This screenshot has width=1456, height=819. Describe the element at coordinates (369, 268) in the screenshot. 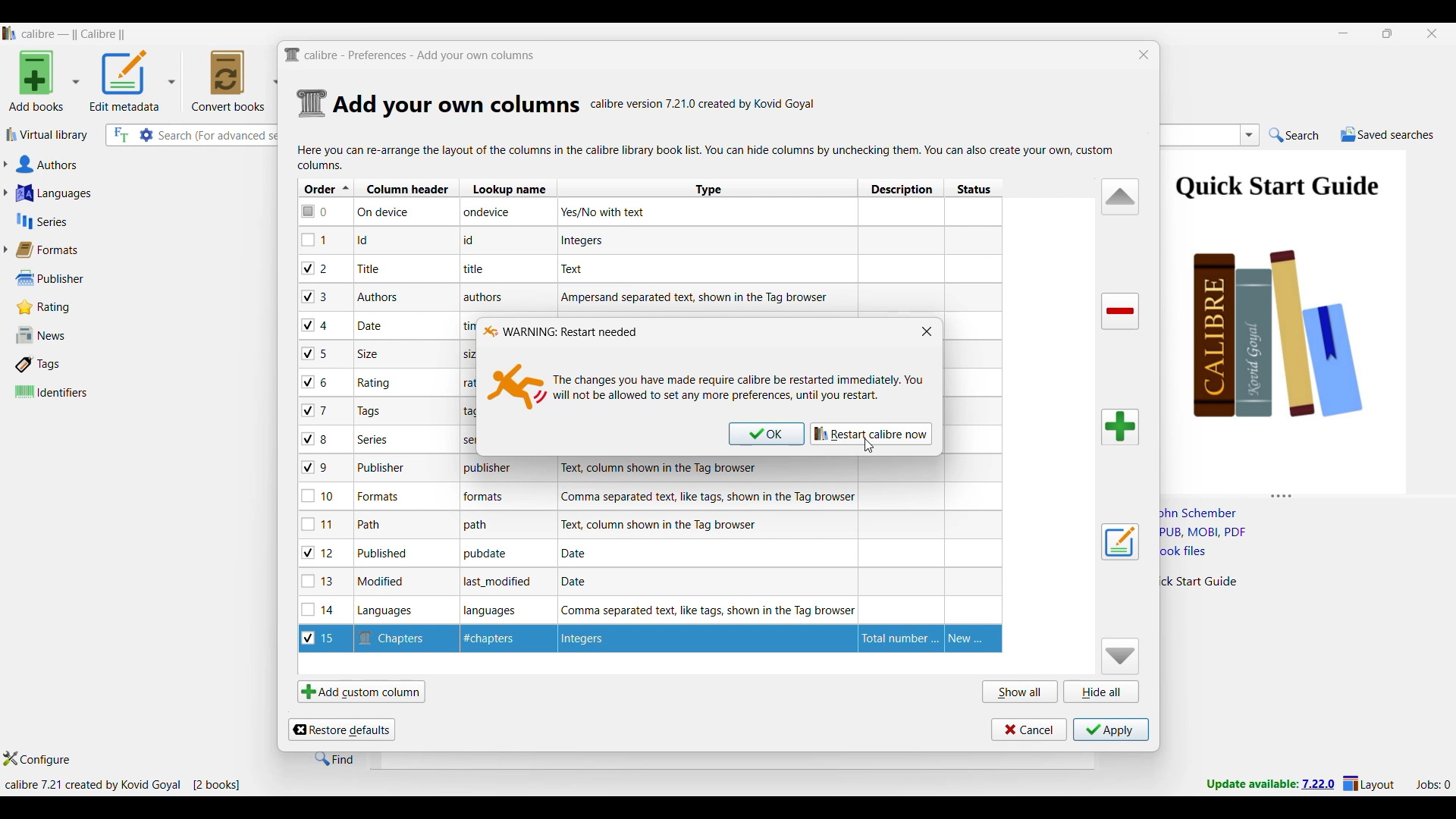

I see `Note` at that location.